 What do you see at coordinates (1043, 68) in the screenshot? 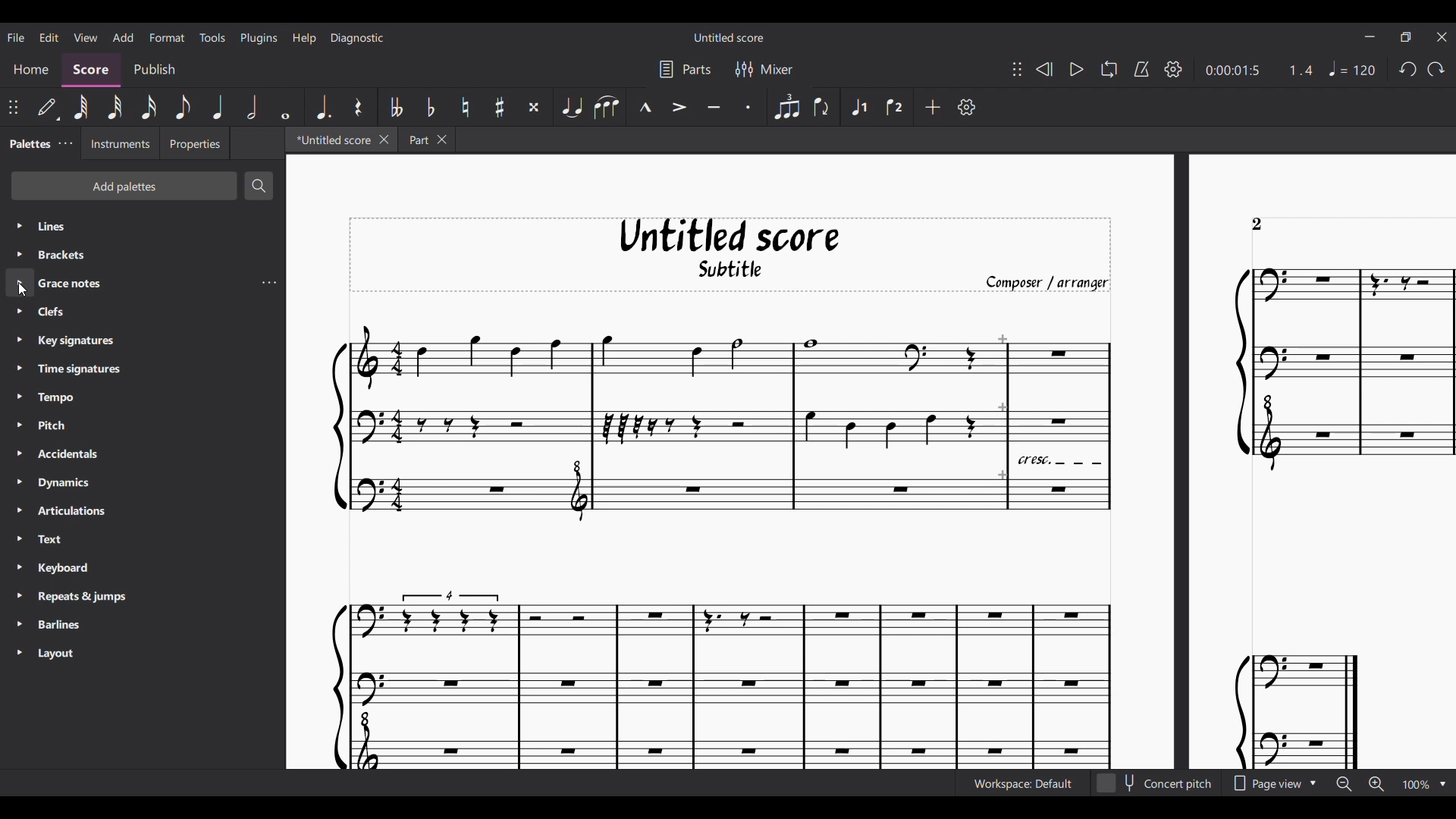
I see `Rewind` at bounding box center [1043, 68].